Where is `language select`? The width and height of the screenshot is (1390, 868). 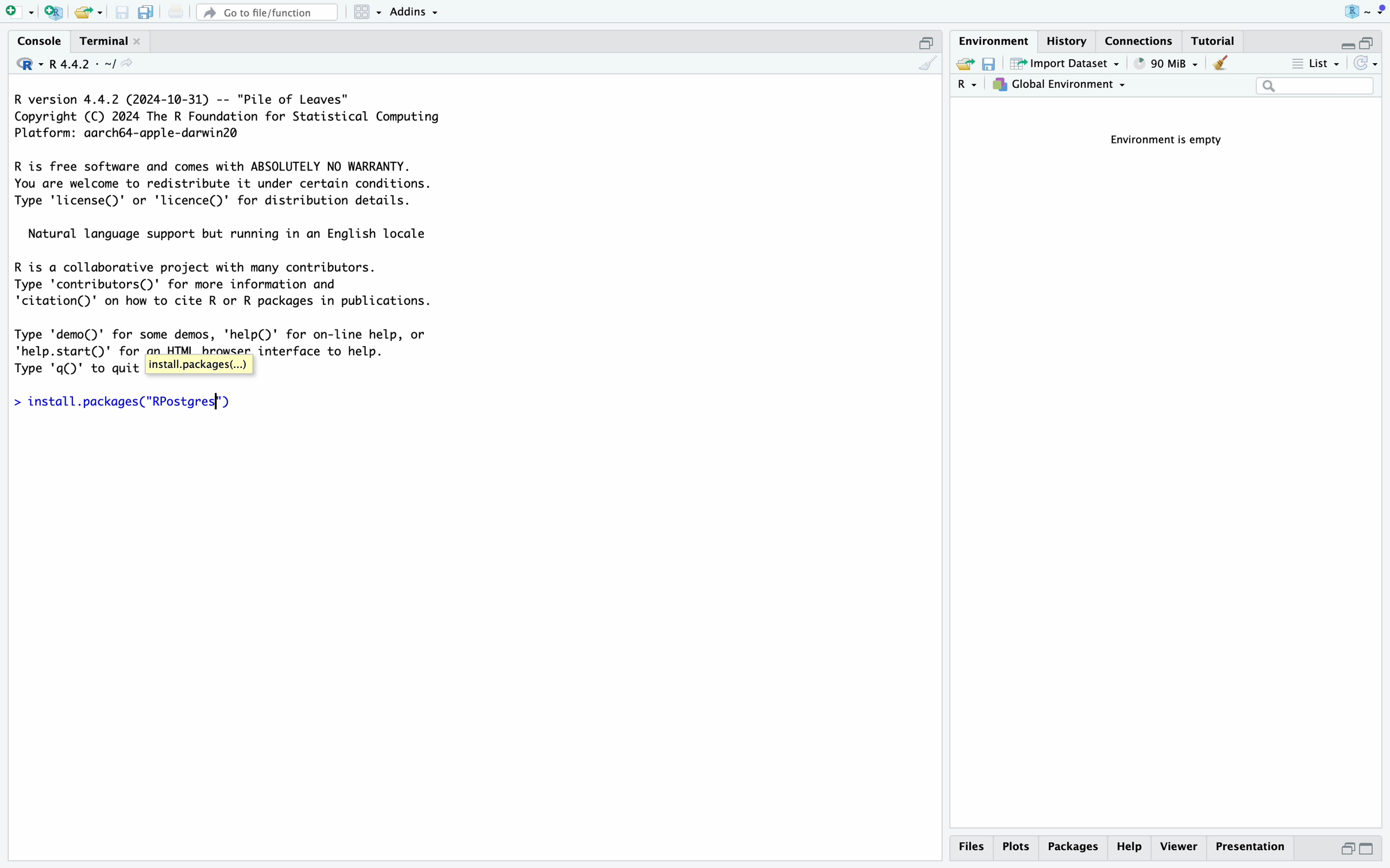
language select is located at coordinates (968, 86).